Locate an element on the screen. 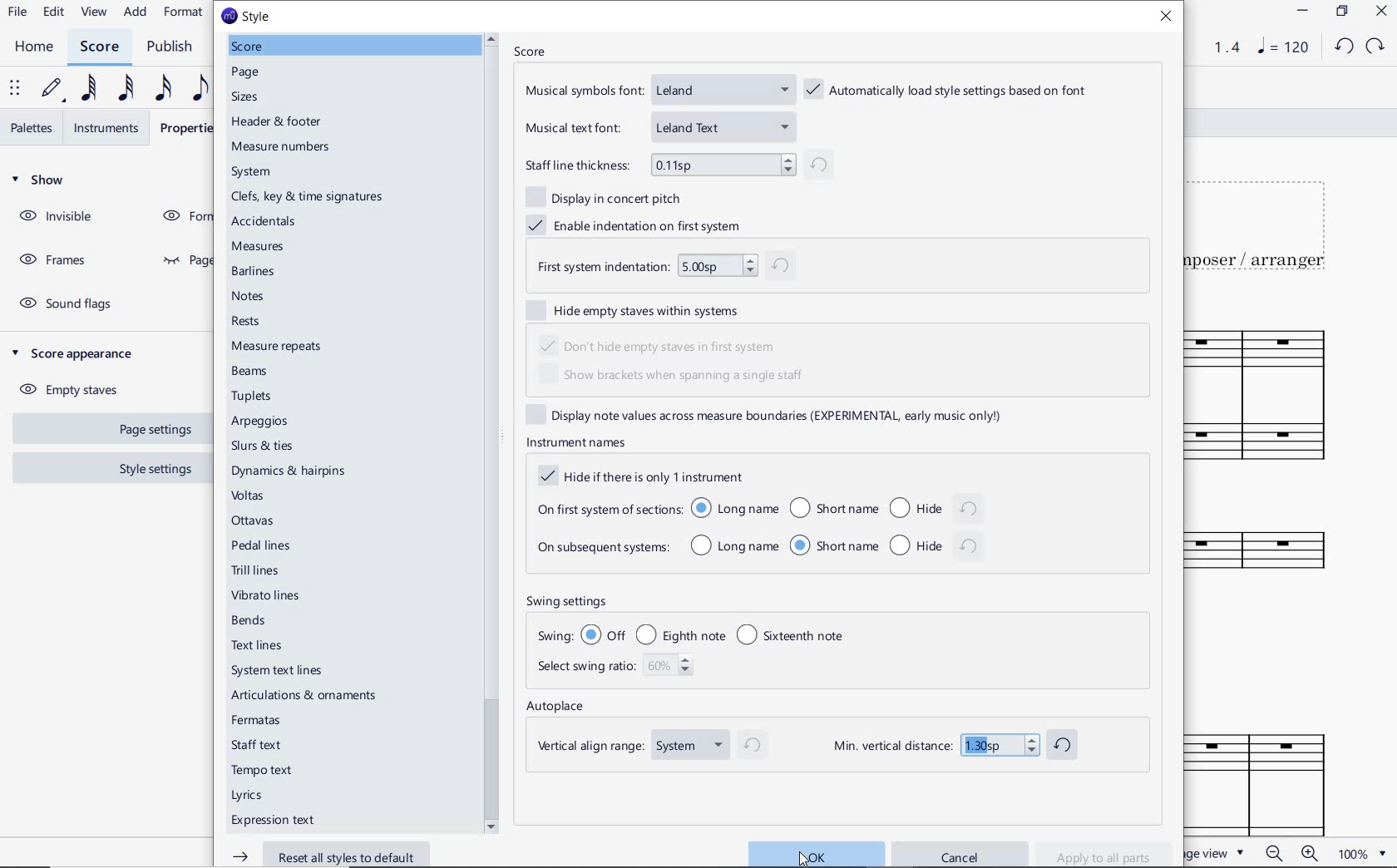  ADD is located at coordinates (137, 12).